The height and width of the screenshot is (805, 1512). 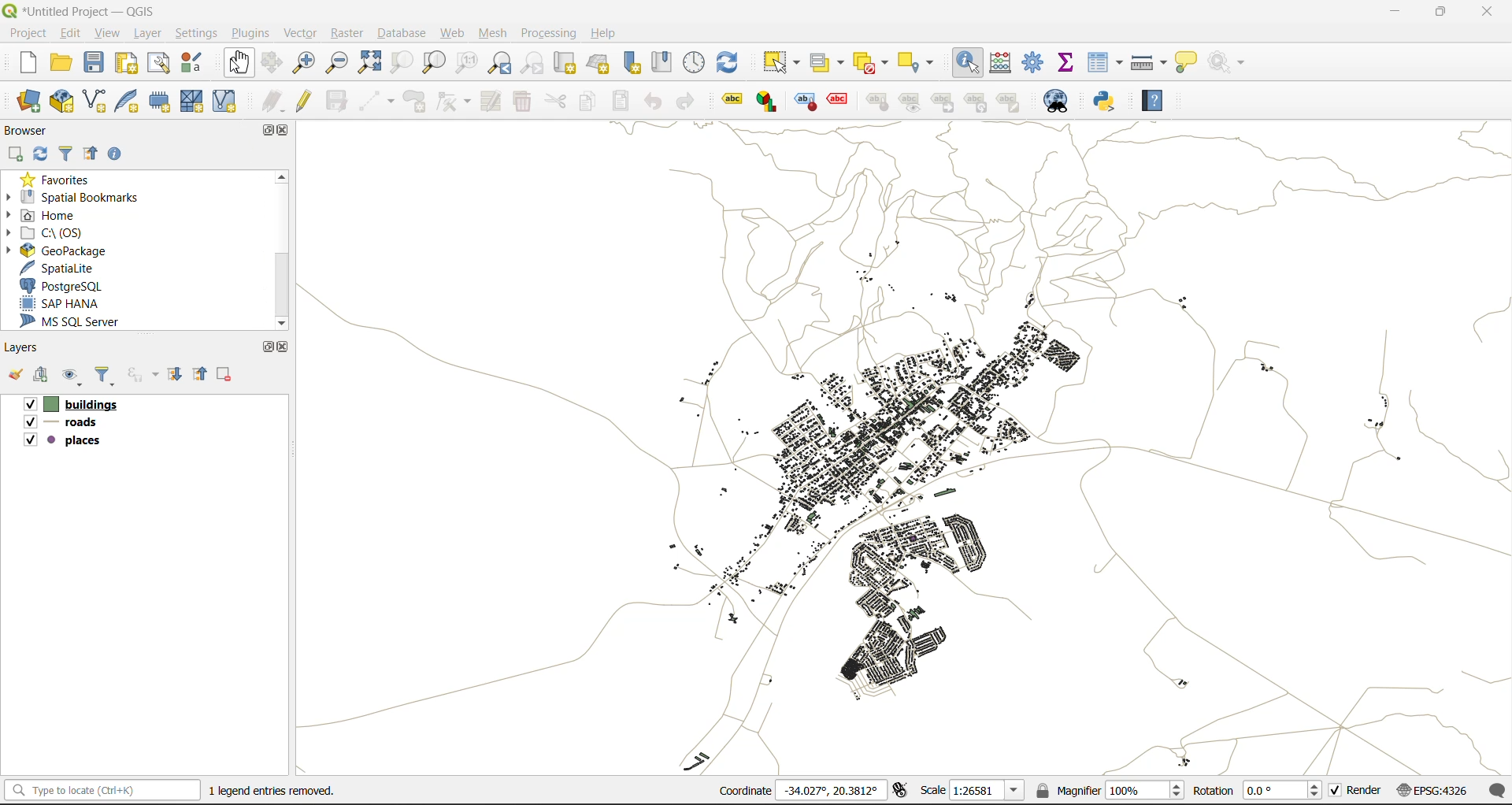 What do you see at coordinates (286, 133) in the screenshot?
I see `close` at bounding box center [286, 133].